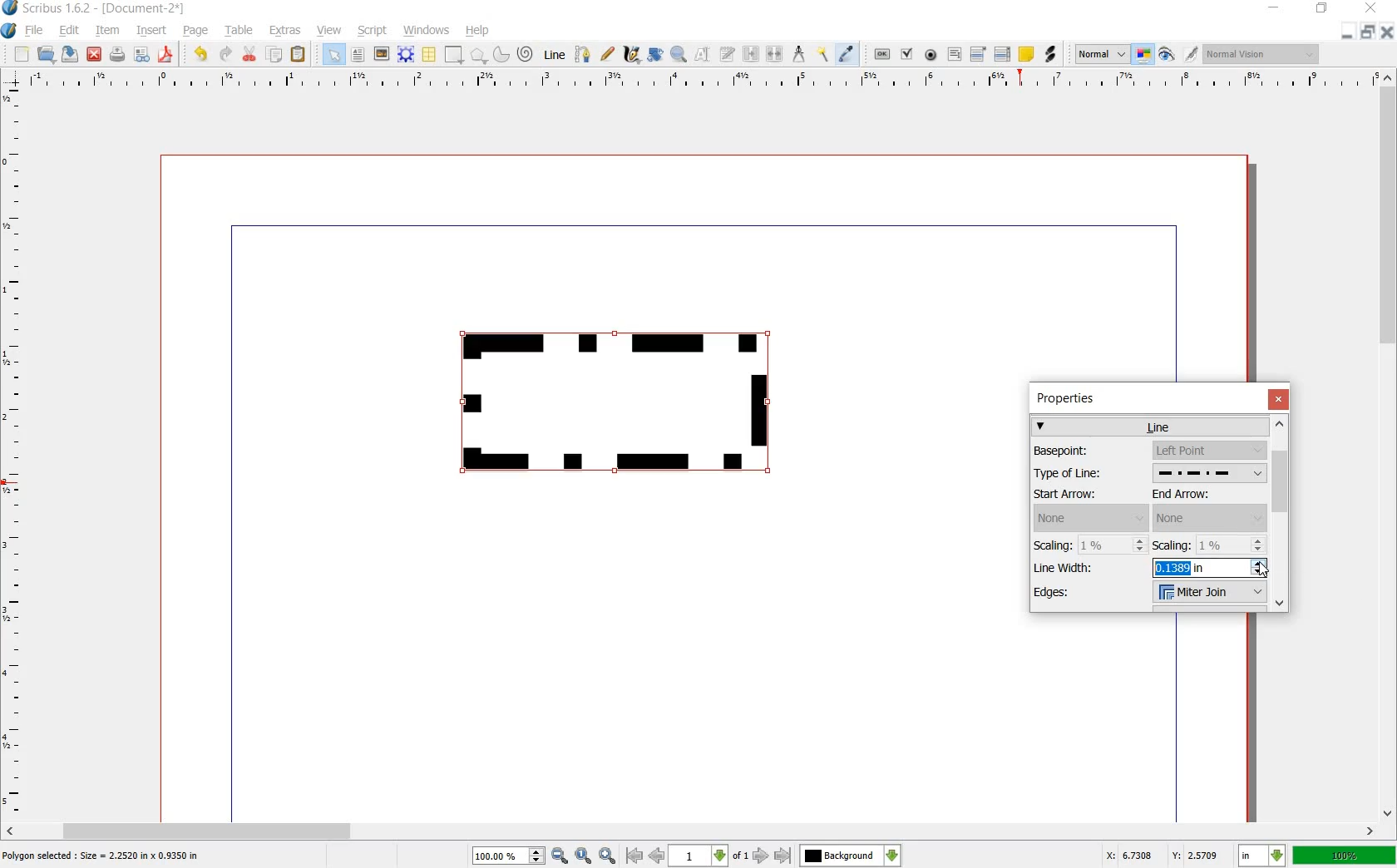  What do you see at coordinates (1278, 398) in the screenshot?
I see `close` at bounding box center [1278, 398].